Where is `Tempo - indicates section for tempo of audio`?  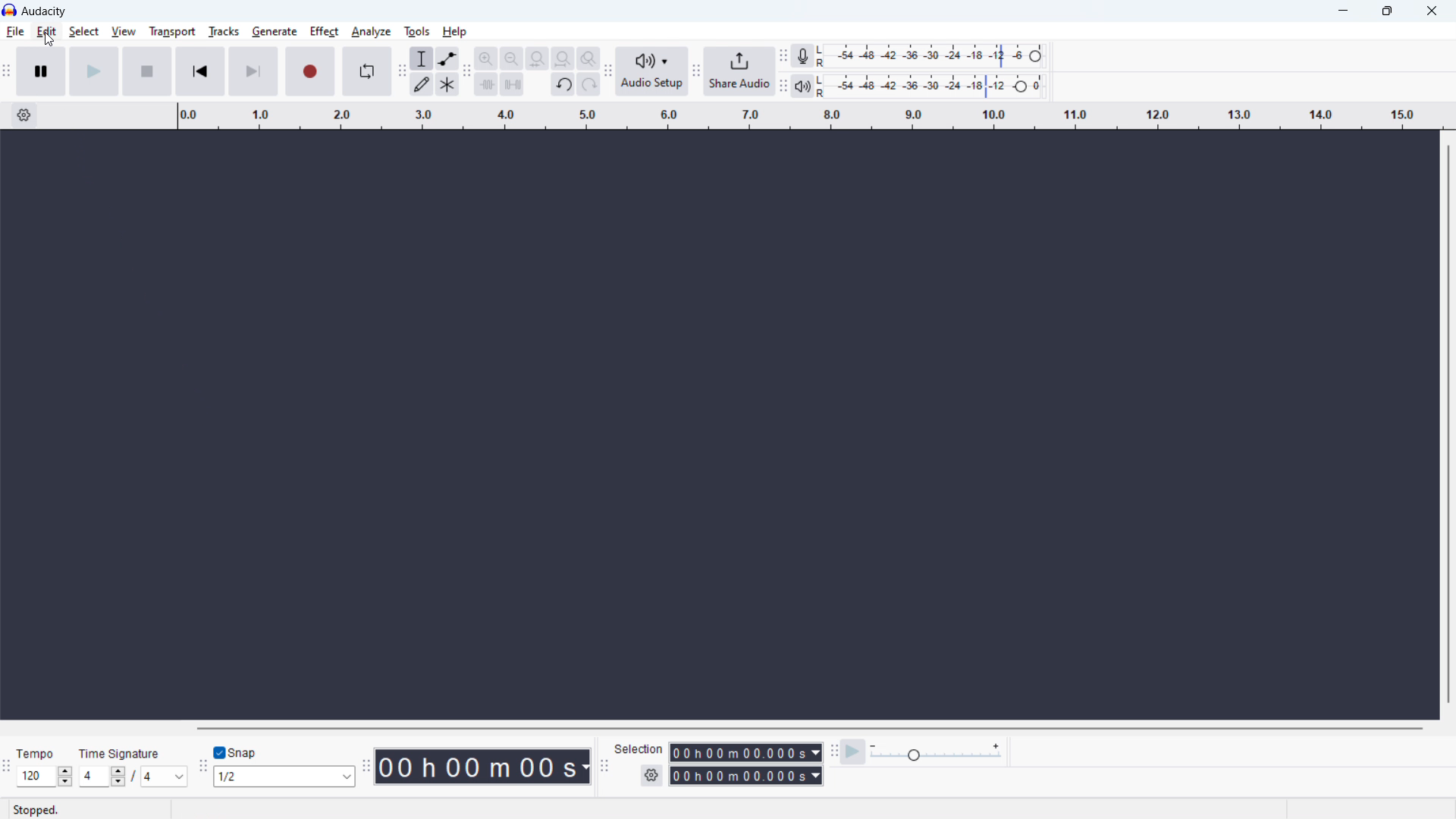 Tempo - indicates section for tempo of audio is located at coordinates (35, 753).